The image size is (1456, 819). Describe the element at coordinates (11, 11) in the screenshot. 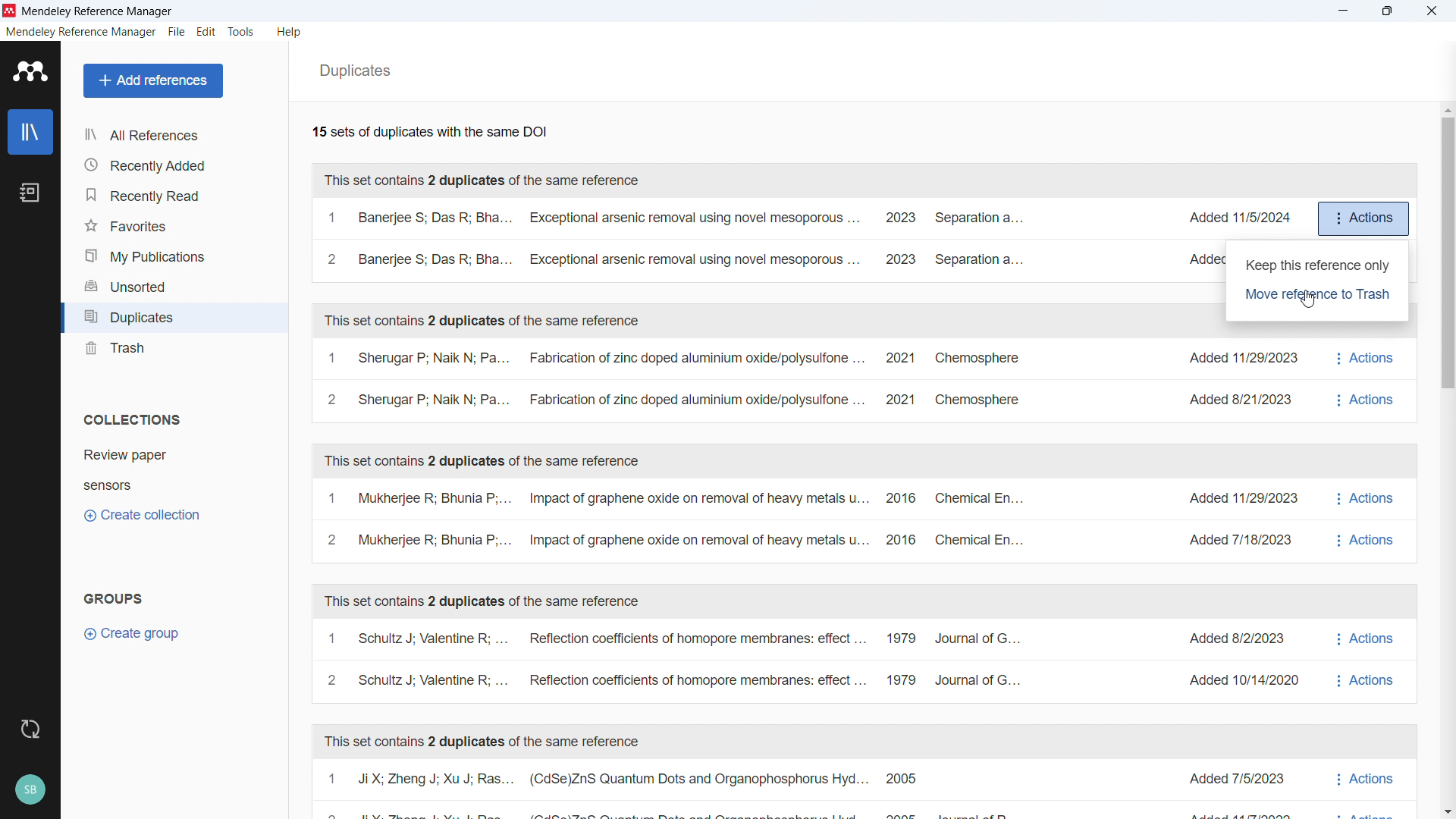

I see `Logo ` at that location.